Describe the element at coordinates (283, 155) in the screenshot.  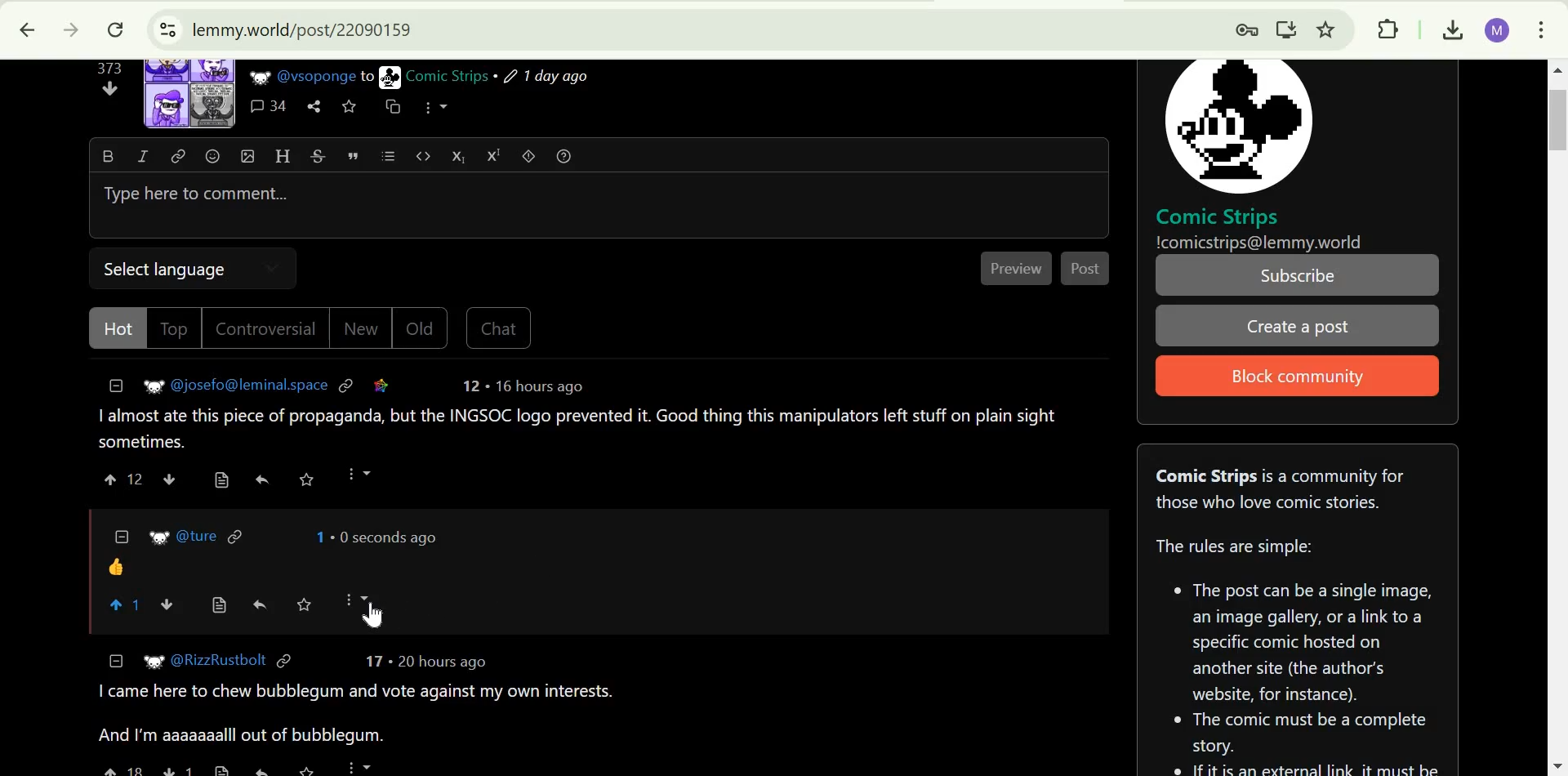
I see `header` at that location.